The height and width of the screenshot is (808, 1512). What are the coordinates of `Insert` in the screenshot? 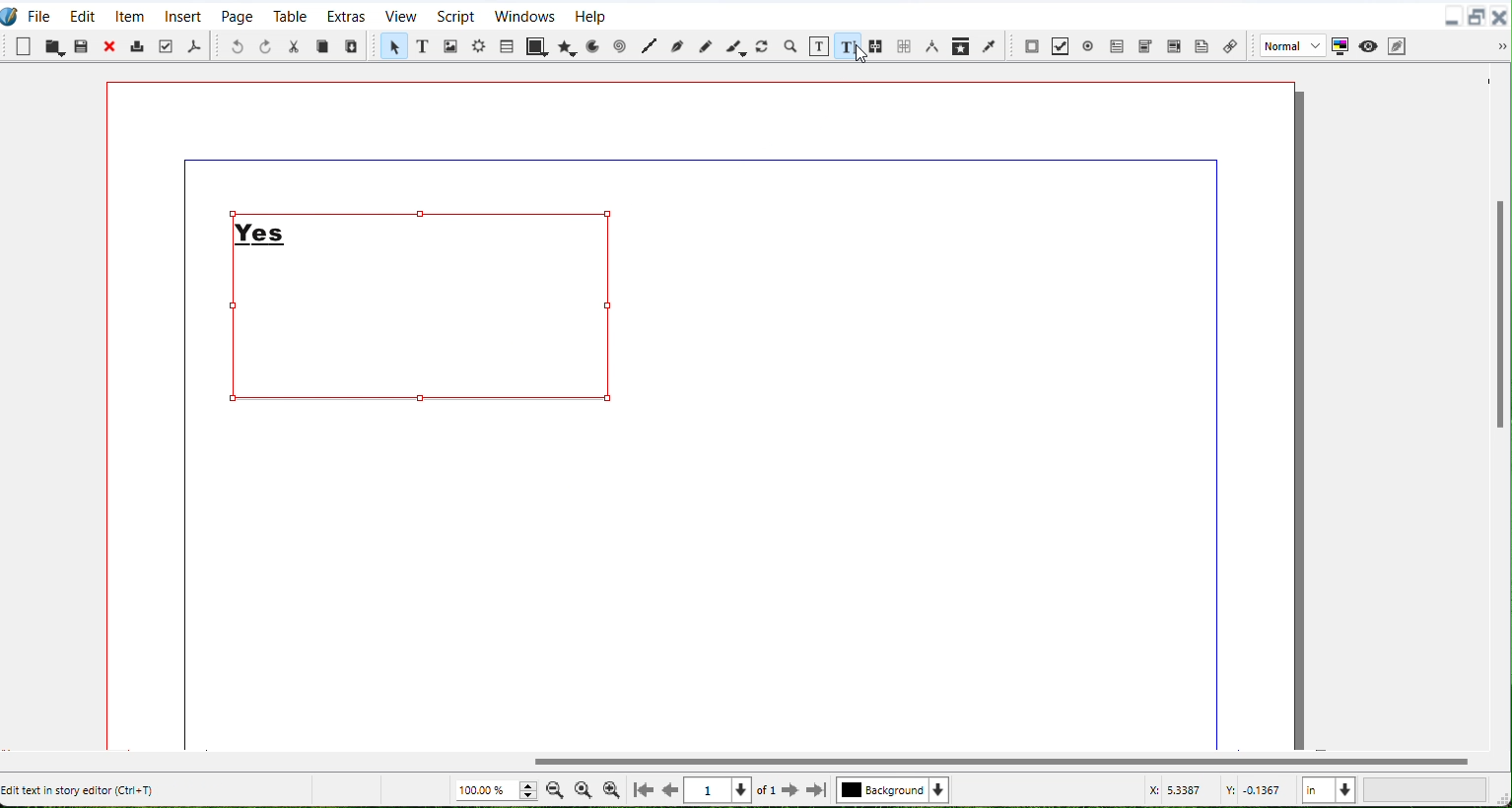 It's located at (183, 15).